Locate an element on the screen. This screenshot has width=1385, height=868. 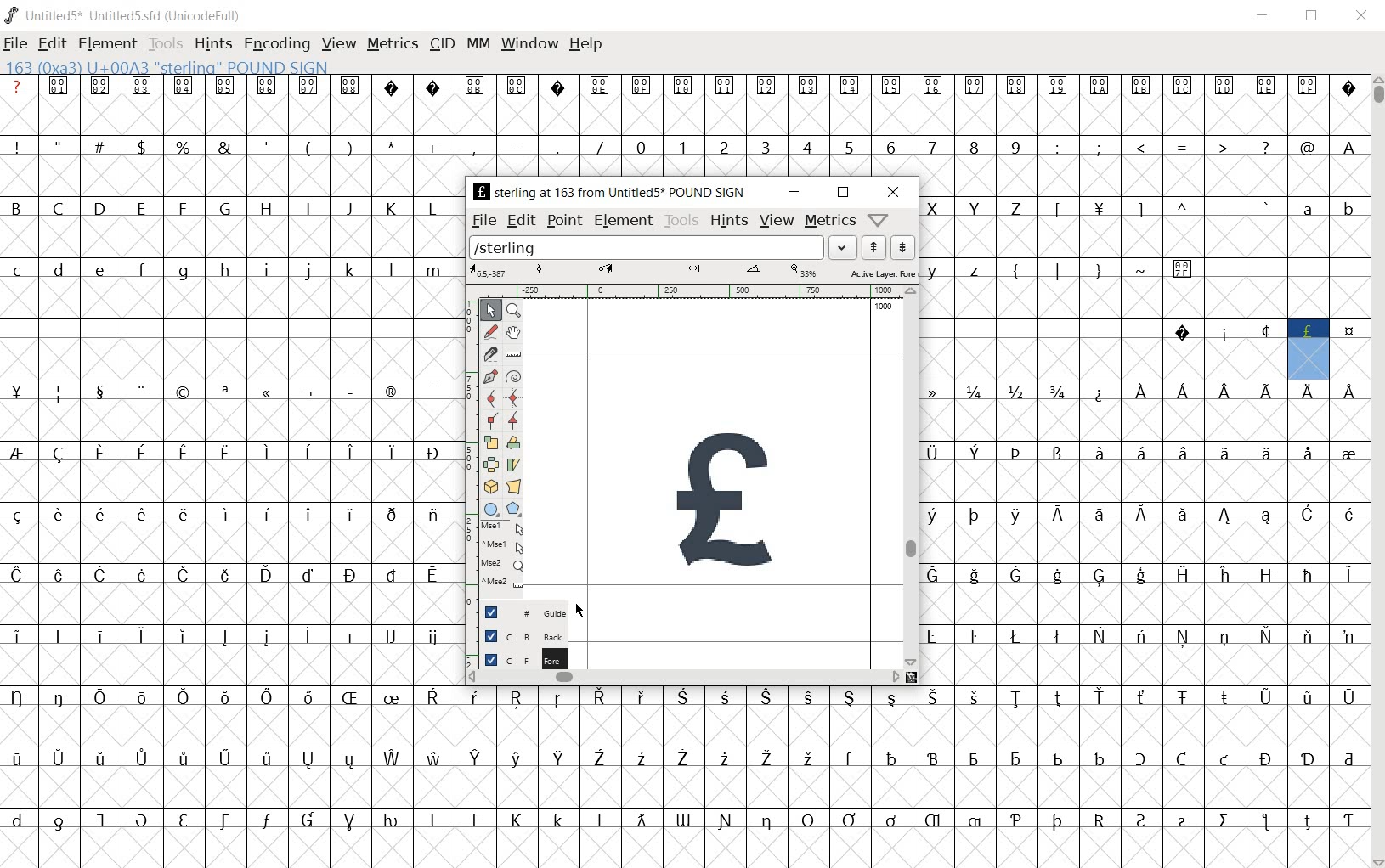
Symbol is located at coordinates (432, 516).